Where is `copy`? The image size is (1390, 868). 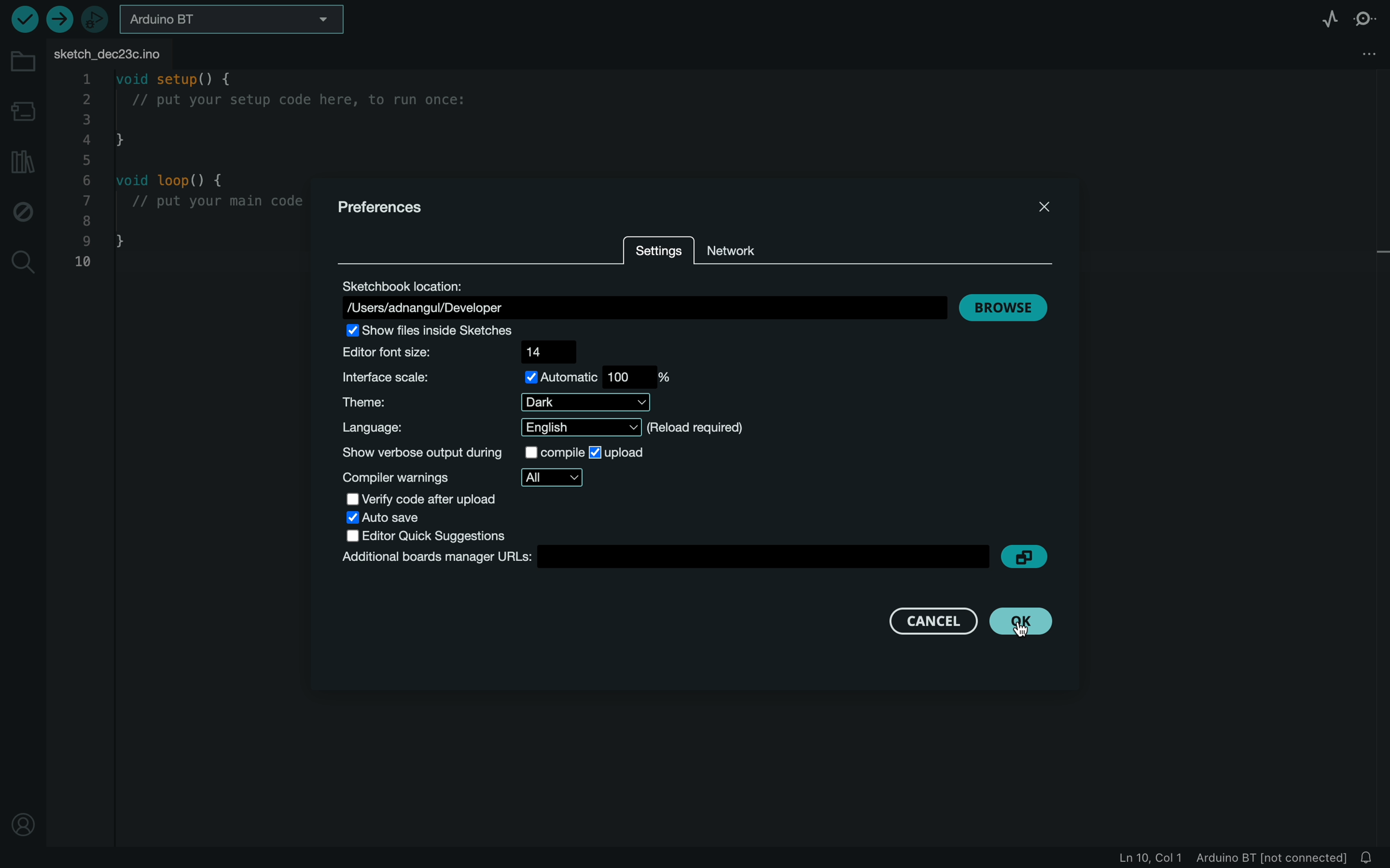
copy is located at coordinates (1029, 560).